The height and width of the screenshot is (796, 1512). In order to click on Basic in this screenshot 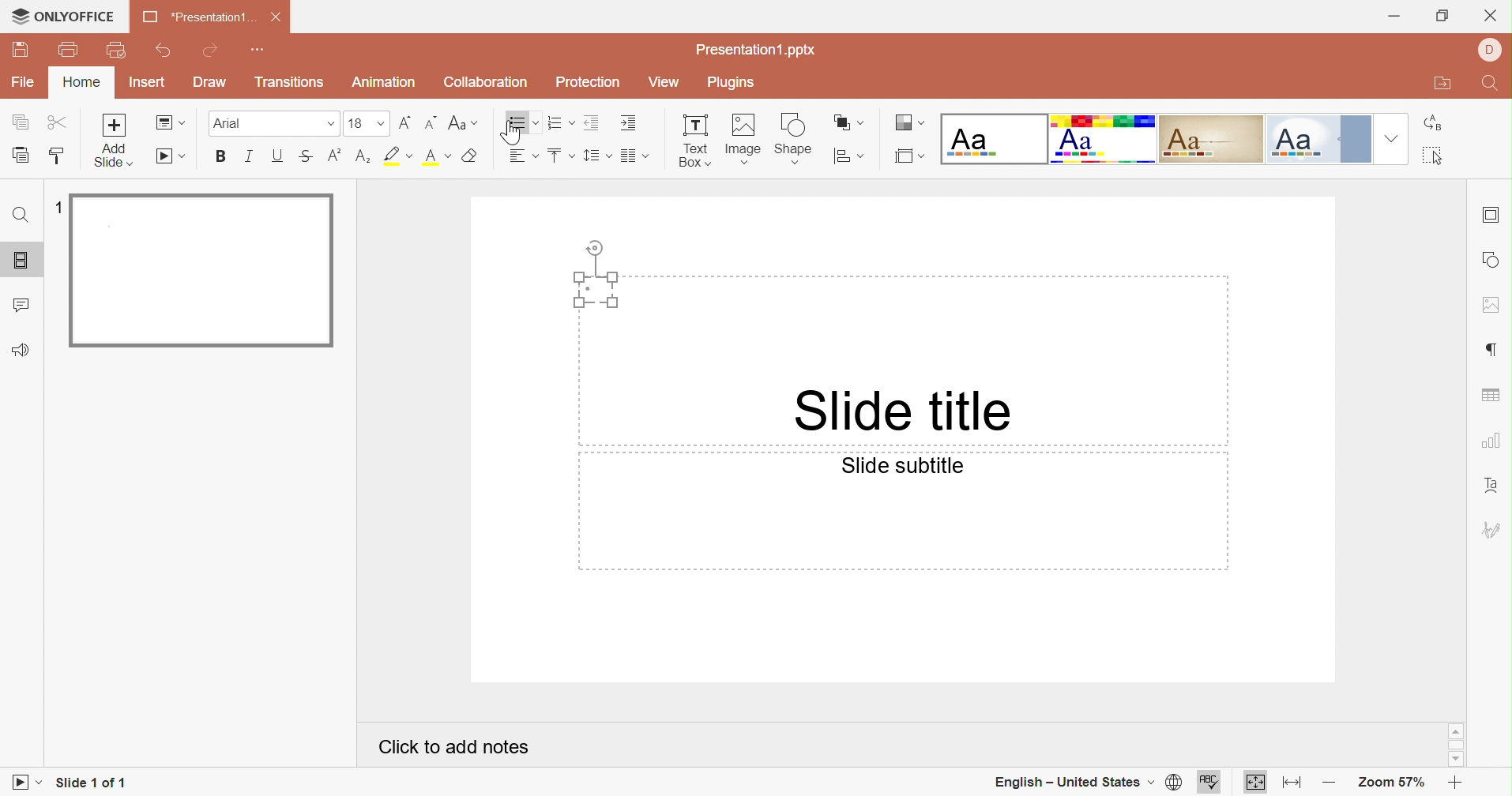, I will do `click(1106, 141)`.